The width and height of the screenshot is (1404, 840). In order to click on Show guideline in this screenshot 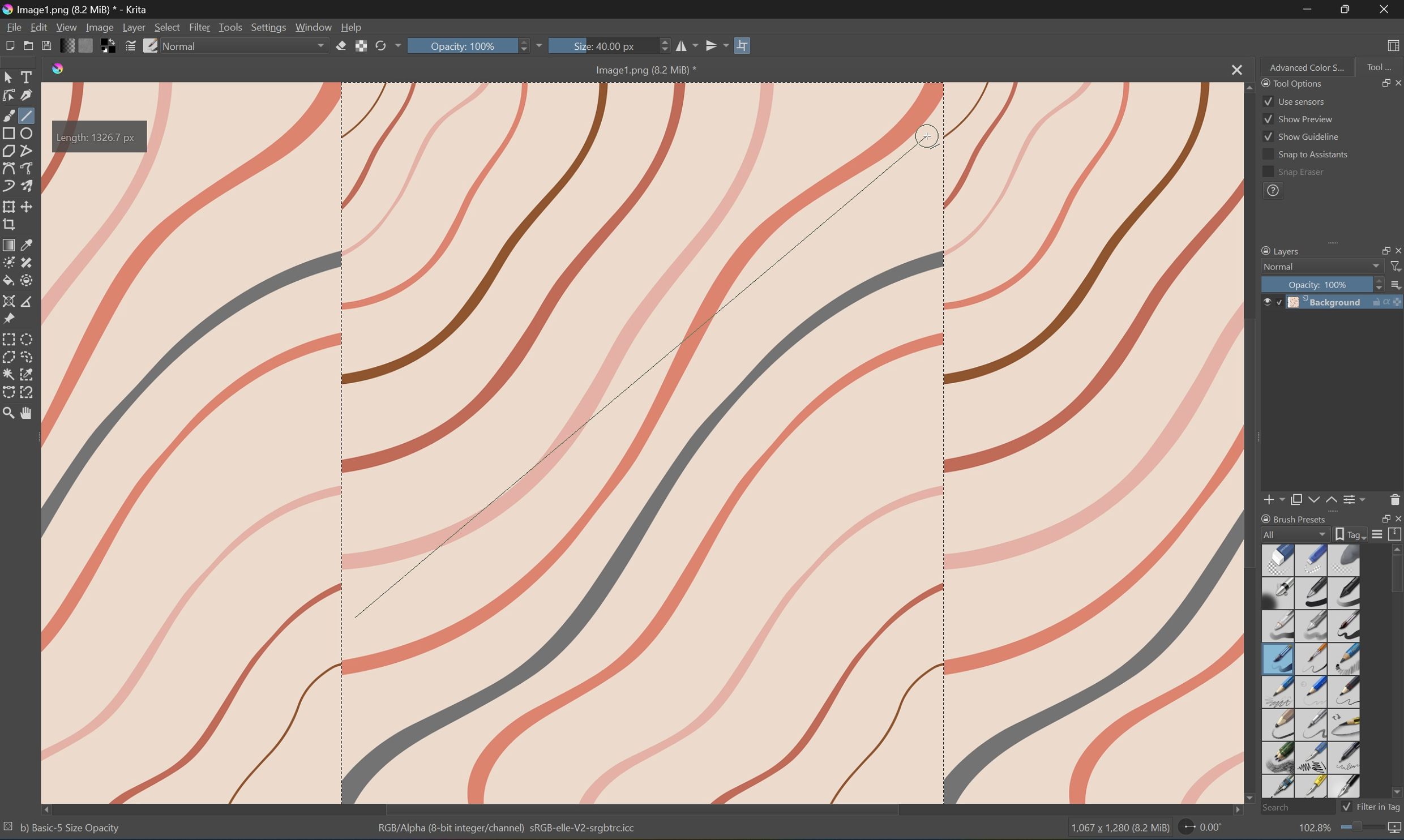, I will do `click(1302, 139)`.